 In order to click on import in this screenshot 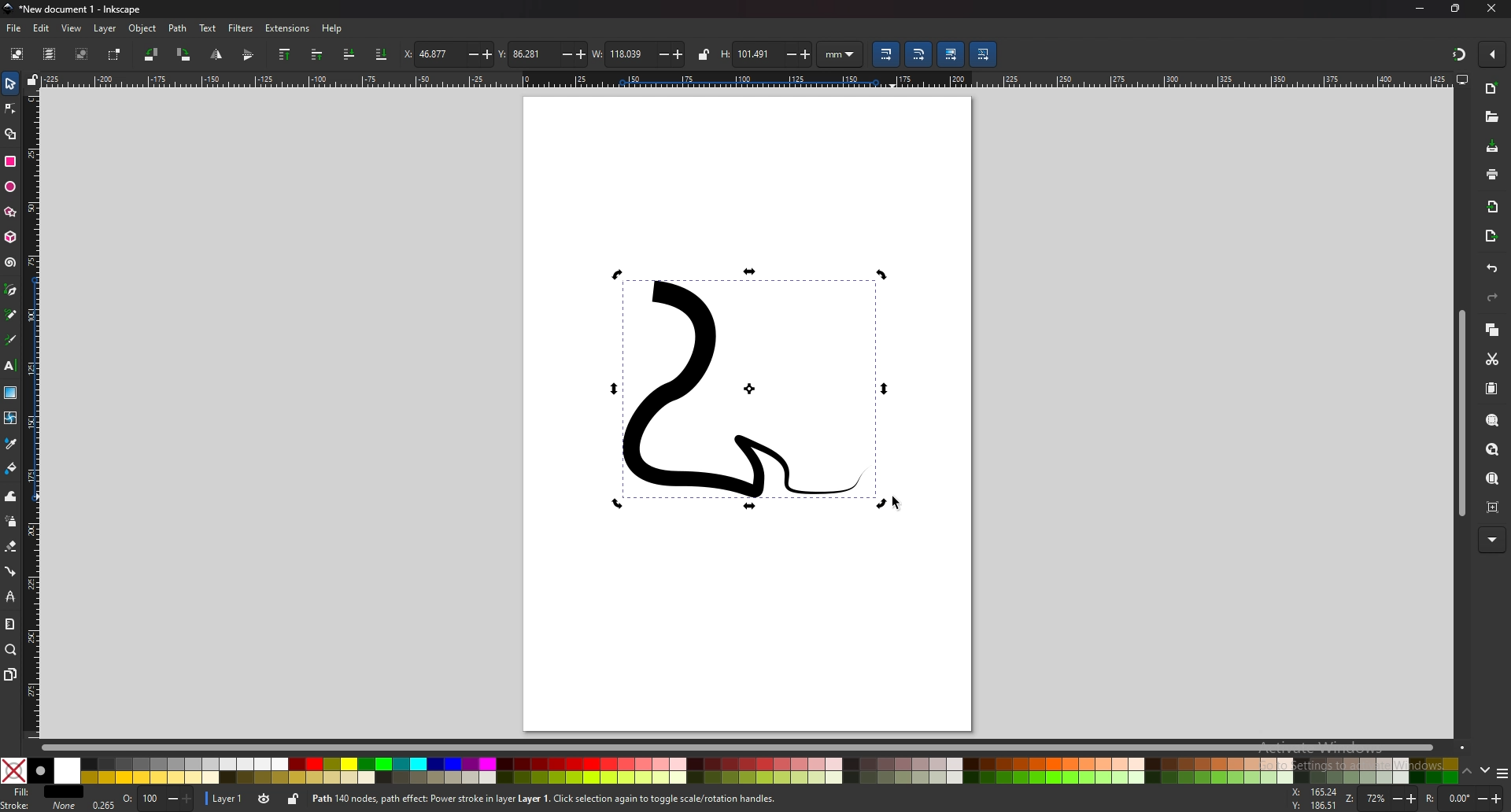, I will do `click(1492, 208)`.